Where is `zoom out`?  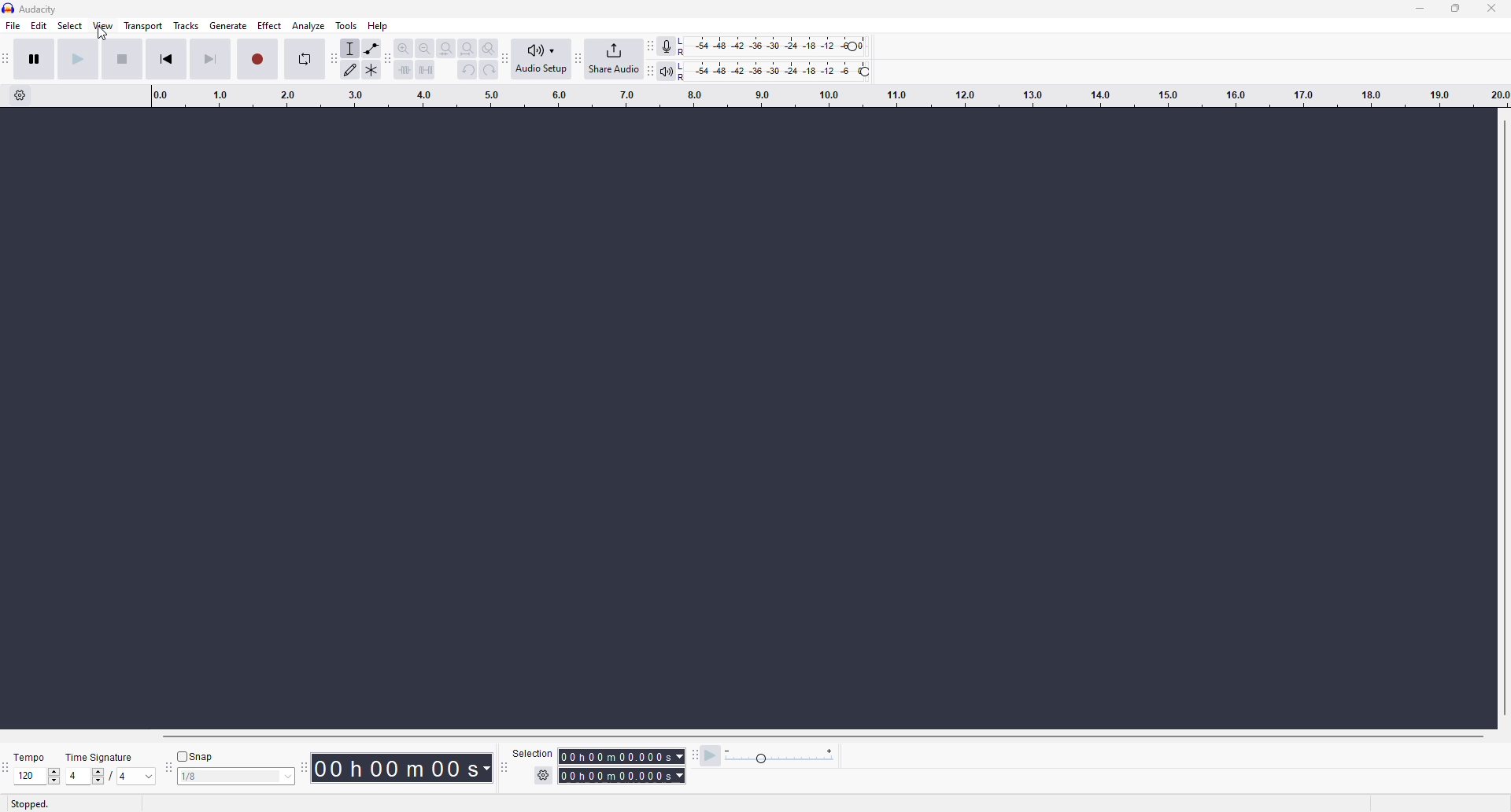 zoom out is located at coordinates (423, 48).